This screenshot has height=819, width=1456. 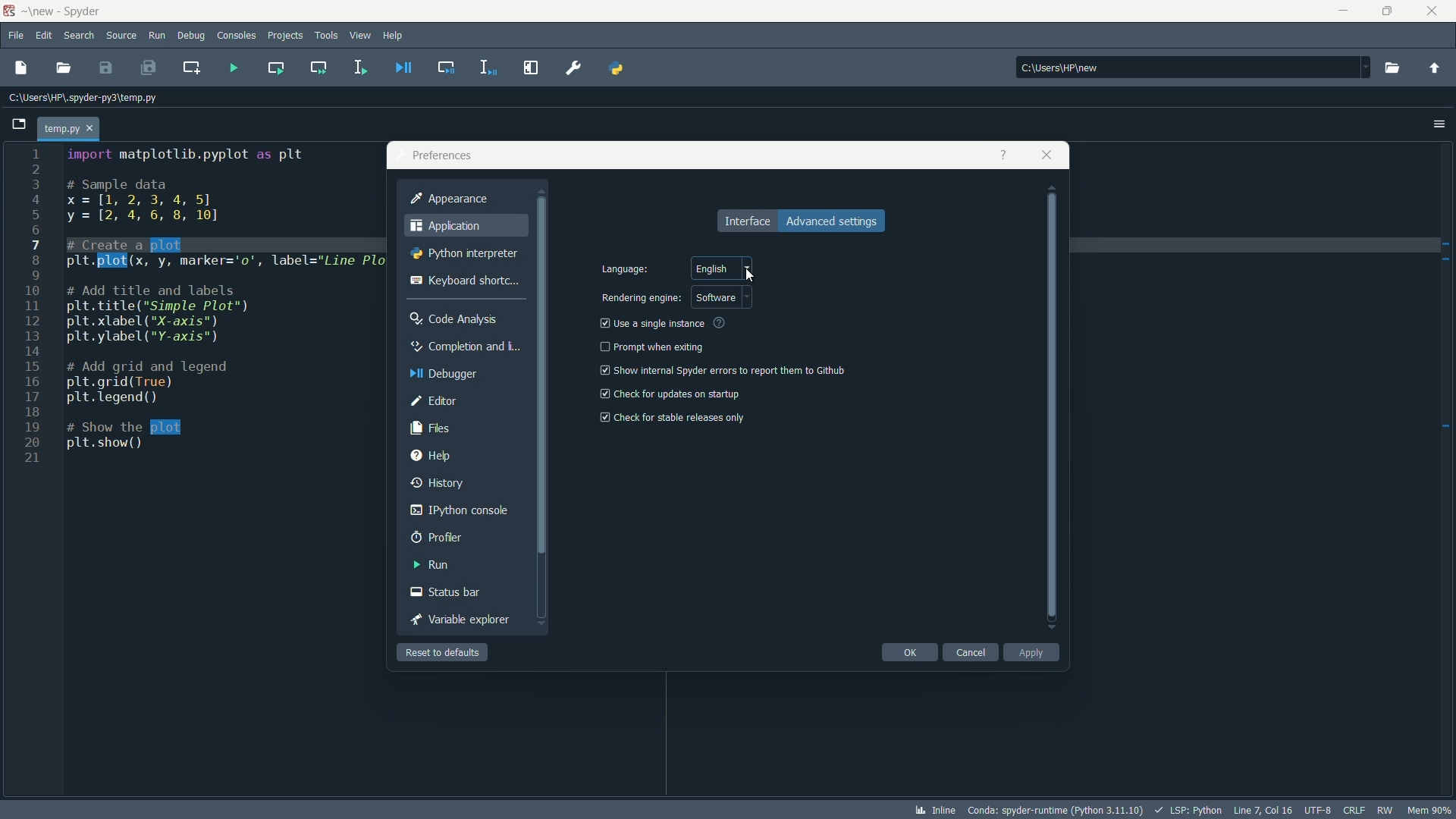 What do you see at coordinates (64, 68) in the screenshot?
I see `open file` at bounding box center [64, 68].